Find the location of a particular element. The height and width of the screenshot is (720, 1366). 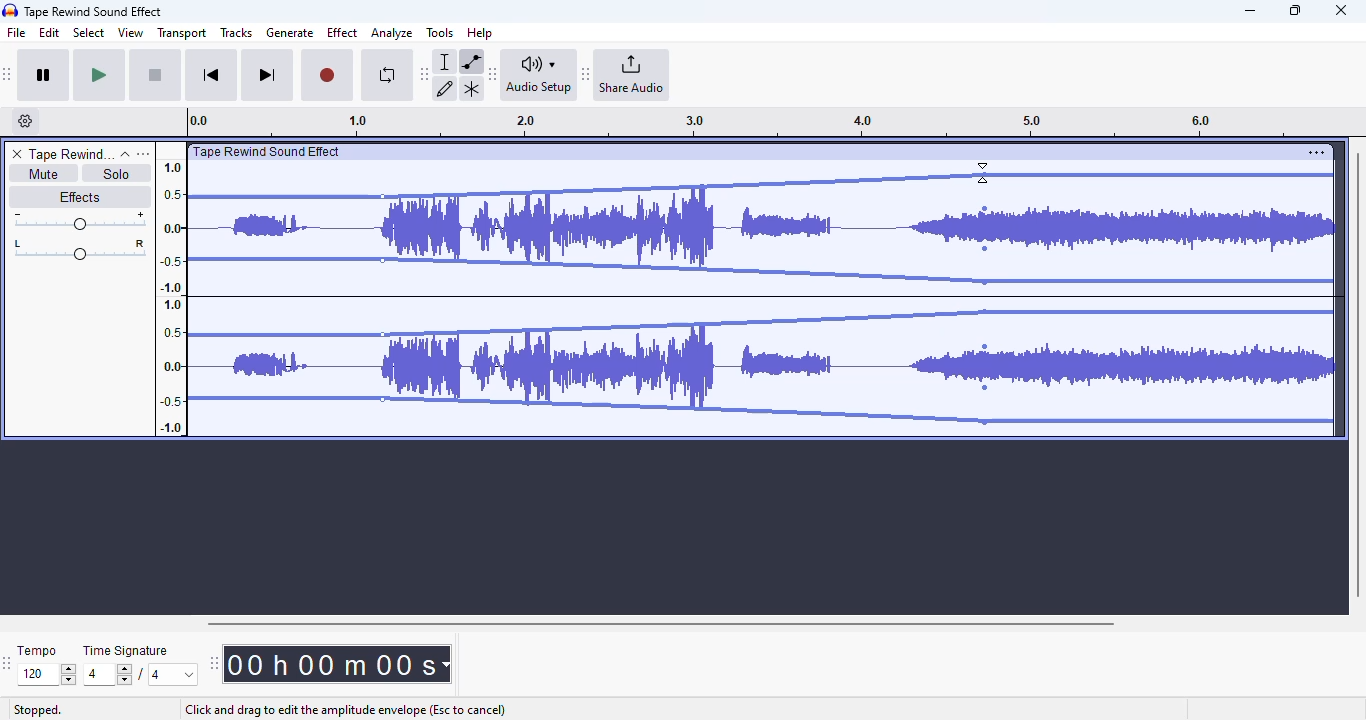

Control point is located at coordinates (985, 311).